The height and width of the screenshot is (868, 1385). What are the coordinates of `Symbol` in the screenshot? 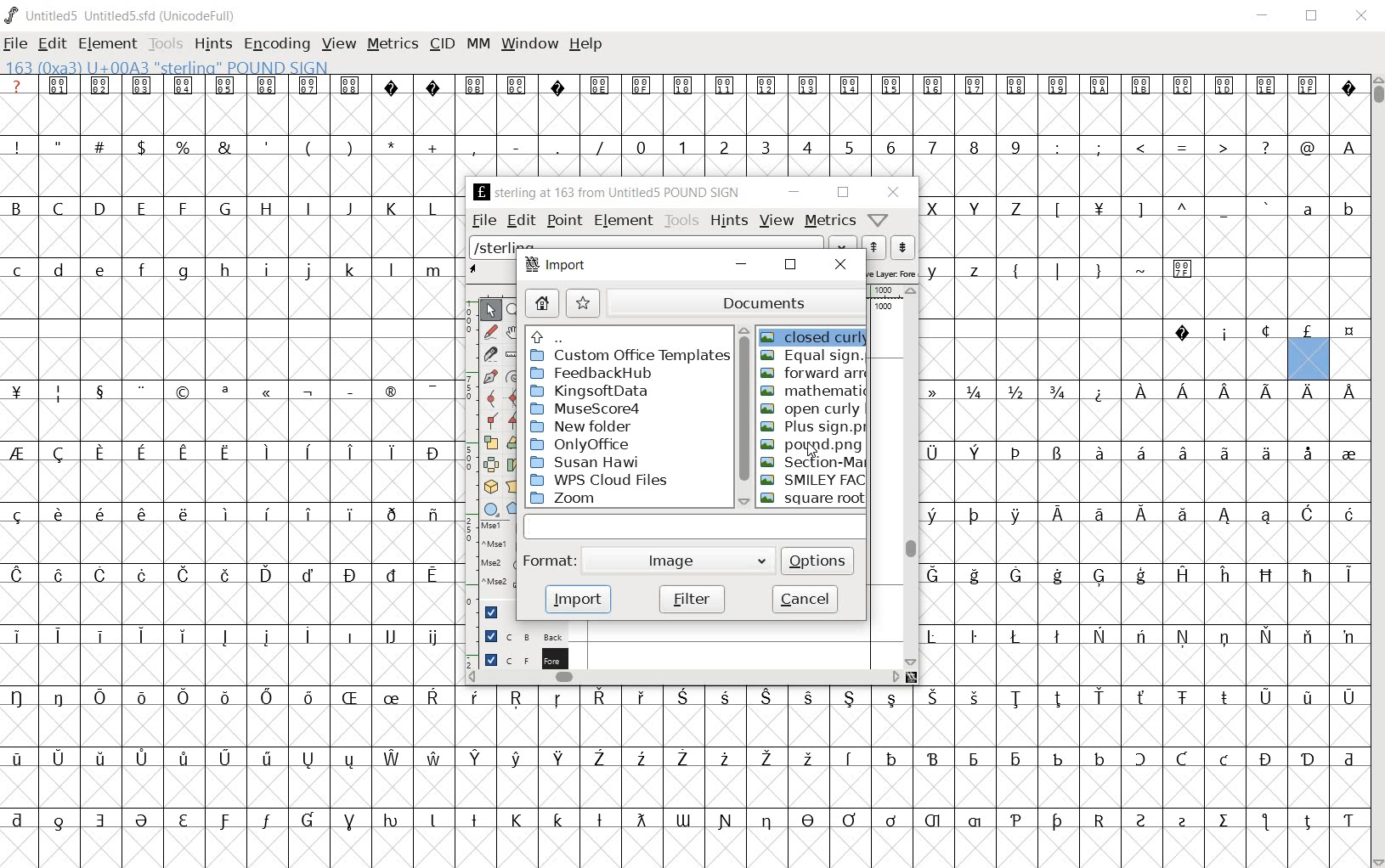 It's located at (432, 452).